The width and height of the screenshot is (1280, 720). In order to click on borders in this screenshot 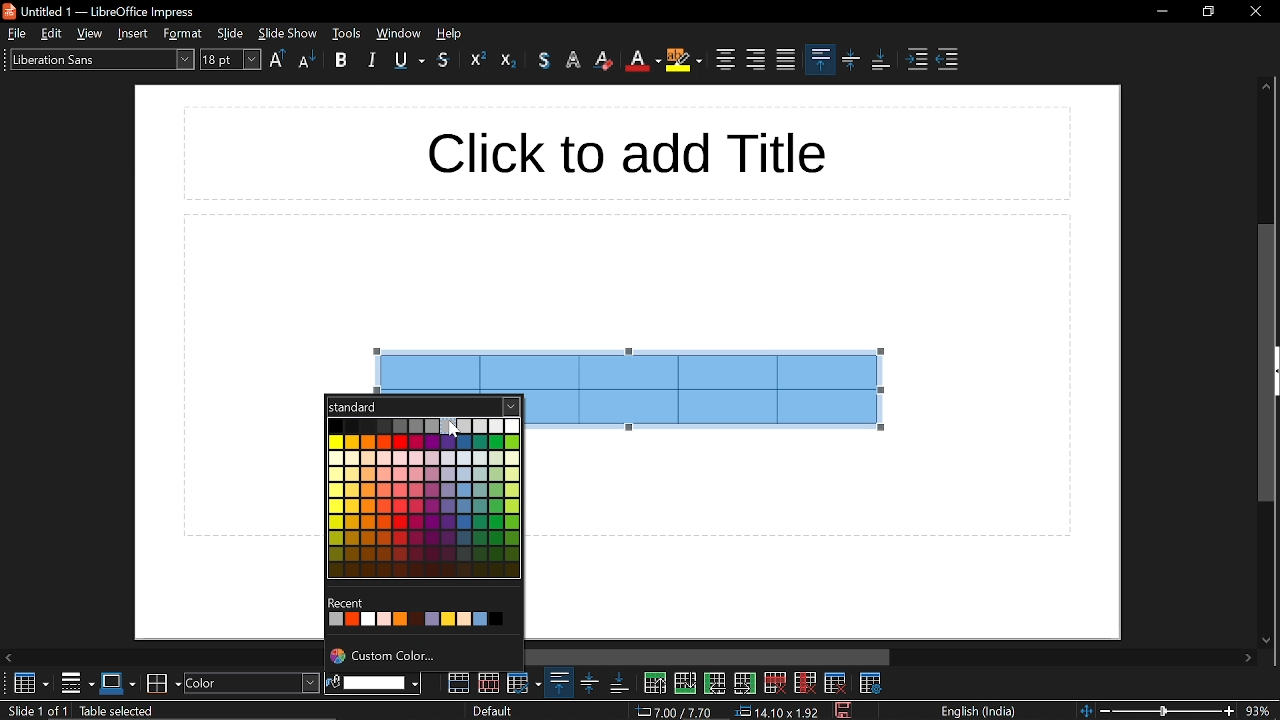, I will do `click(78, 683)`.